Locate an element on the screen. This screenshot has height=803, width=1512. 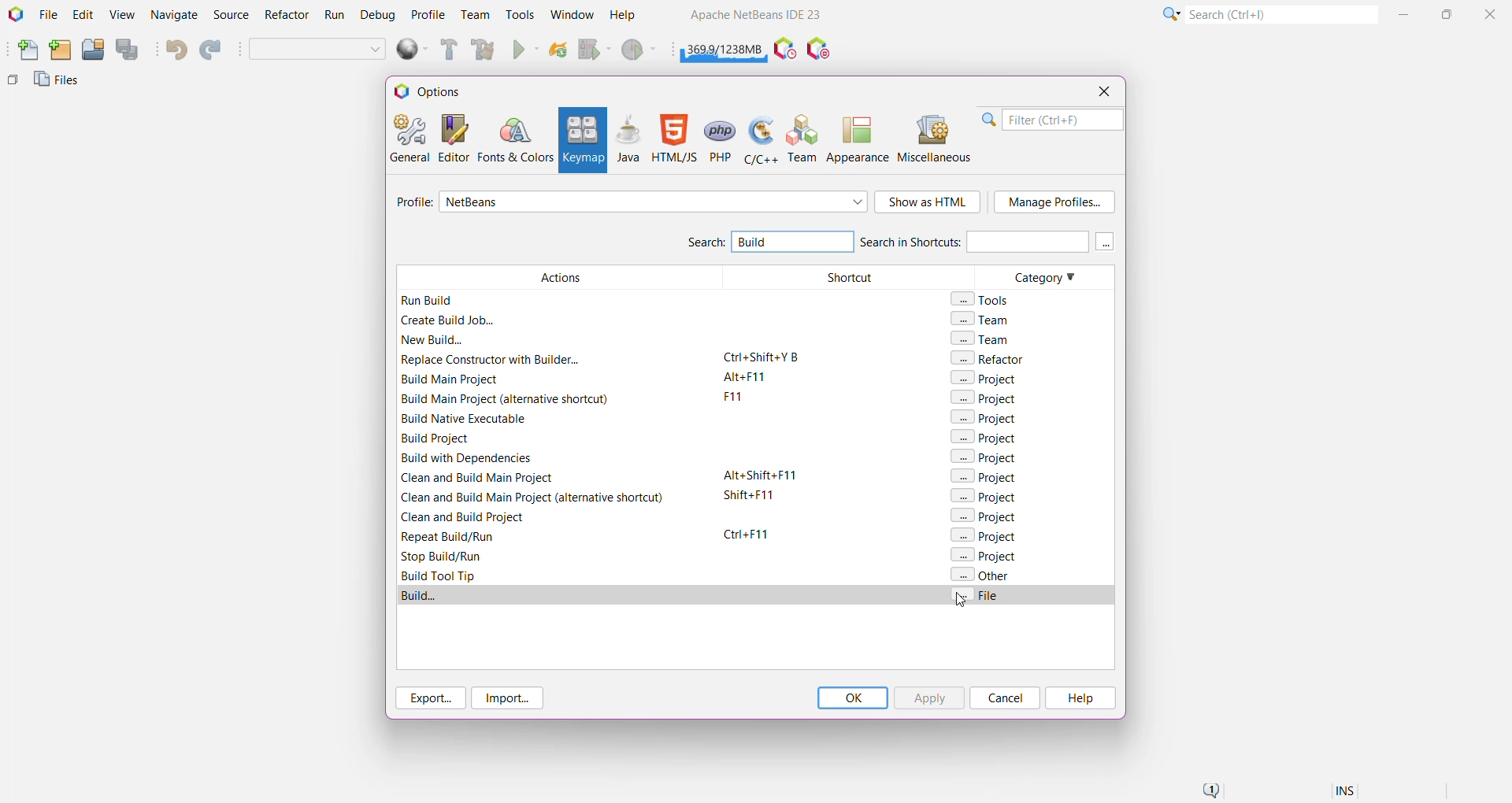
New File is located at coordinates (24, 51).